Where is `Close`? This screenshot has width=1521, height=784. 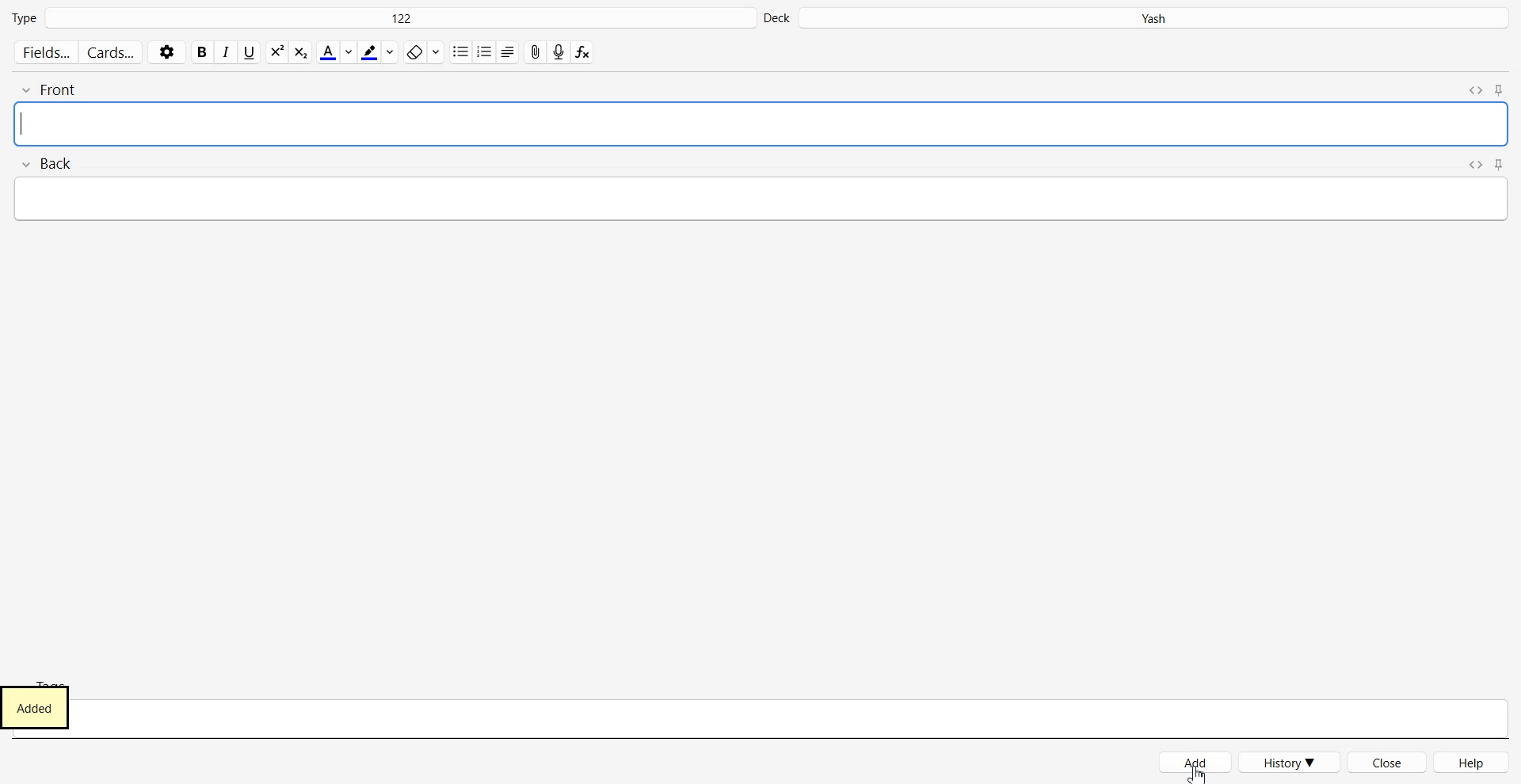 Close is located at coordinates (1388, 762).